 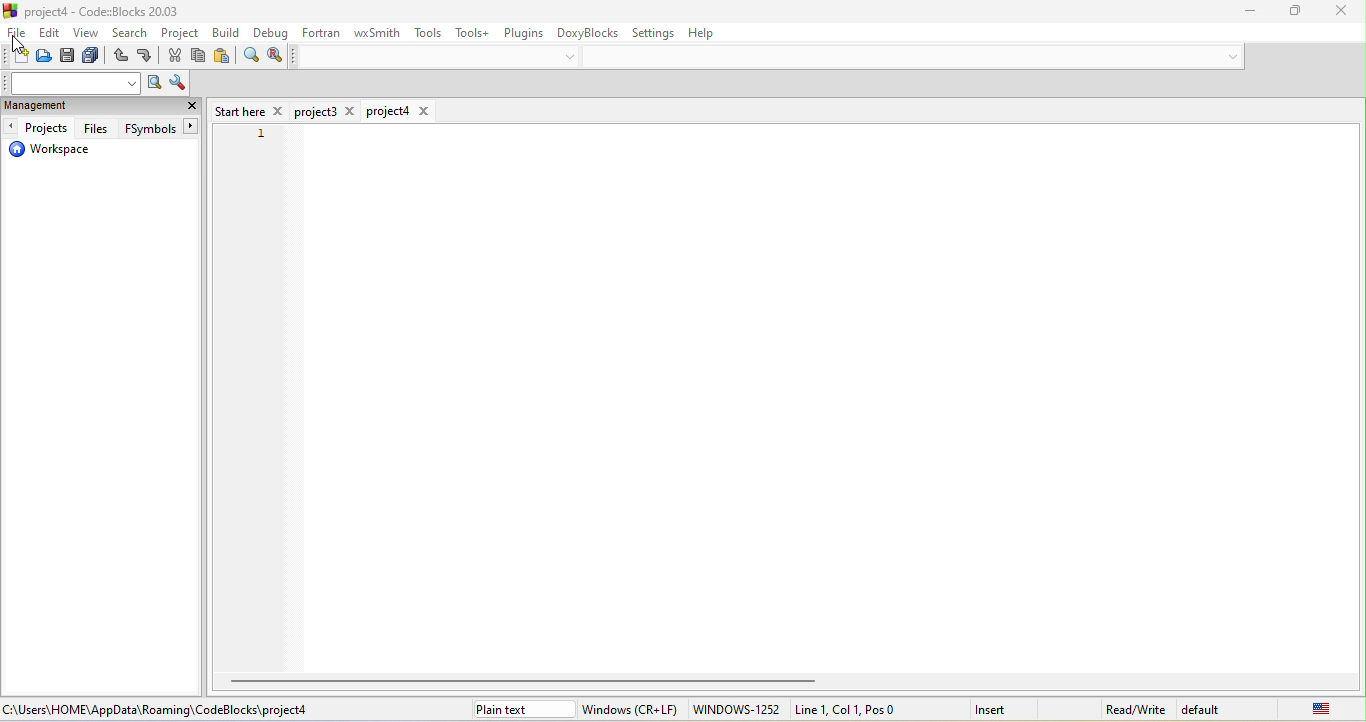 I want to click on open, so click(x=43, y=56).